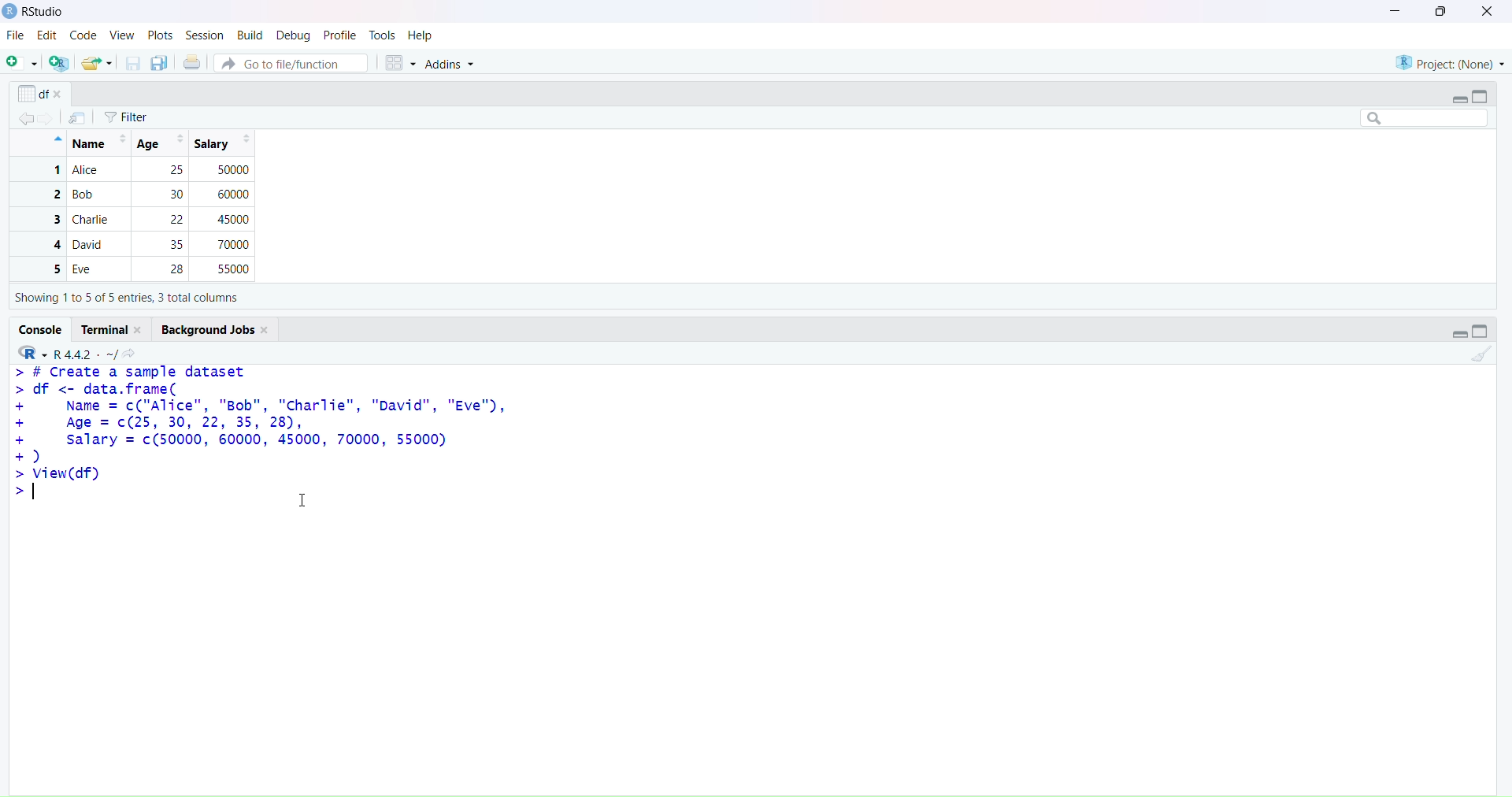 This screenshot has width=1512, height=797. What do you see at coordinates (384, 34) in the screenshot?
I see `tools` at bounding box center [384, 34].